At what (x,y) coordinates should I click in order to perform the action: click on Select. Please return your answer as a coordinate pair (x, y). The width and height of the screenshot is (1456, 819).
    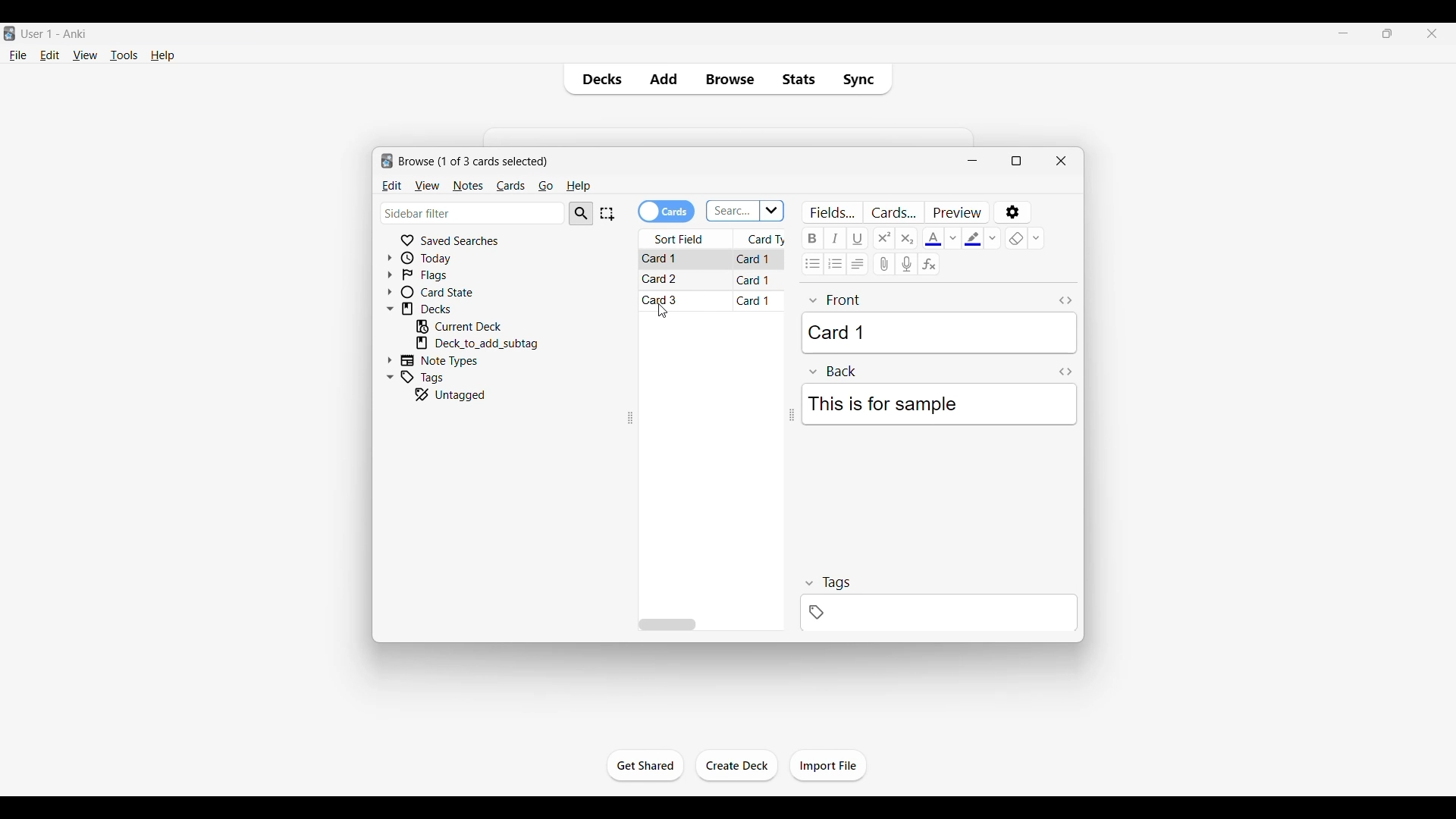
    Looking at the image, I should click on (607, 214).